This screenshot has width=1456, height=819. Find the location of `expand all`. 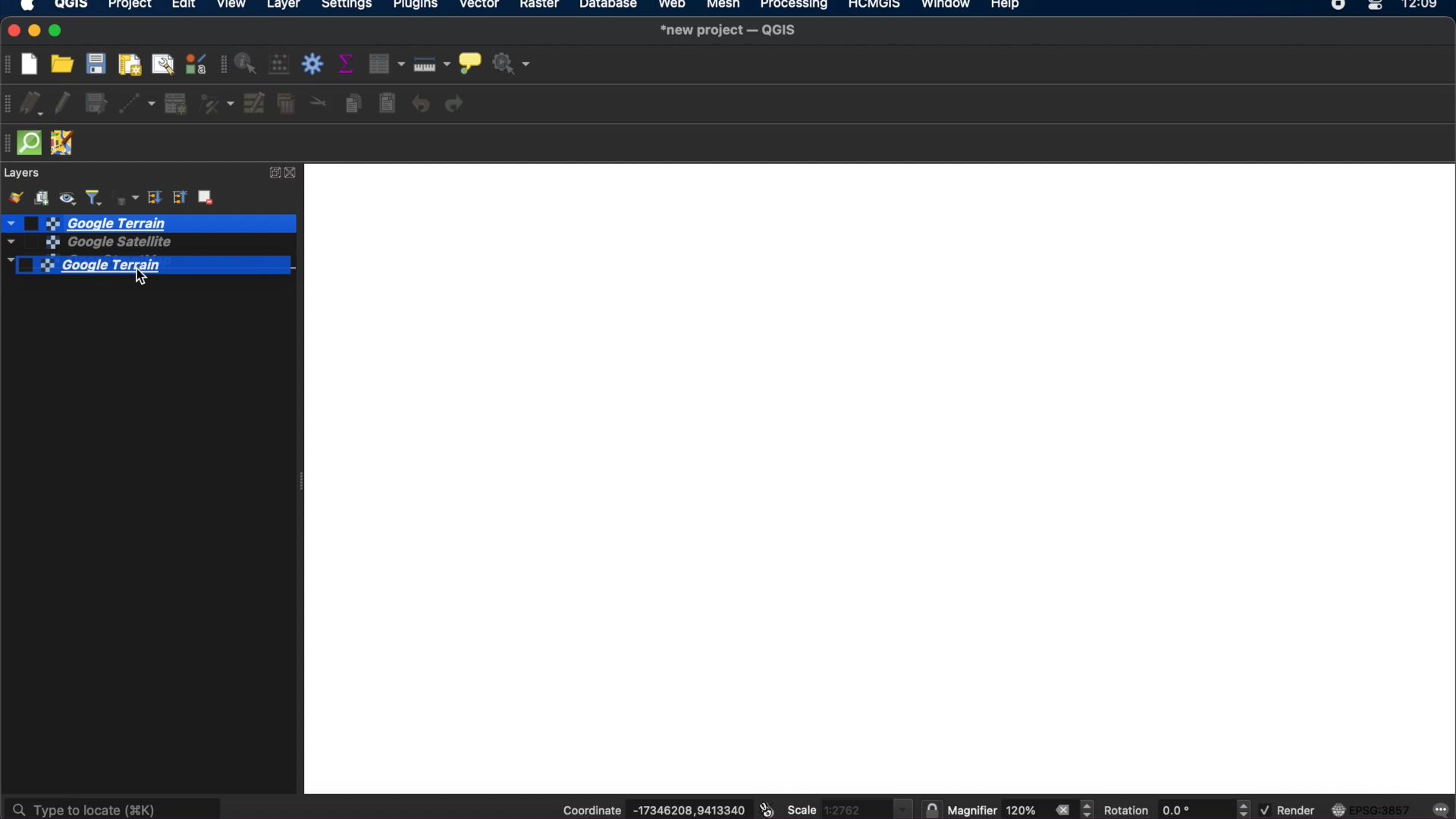

expand all is located at coordinates (154, 198).